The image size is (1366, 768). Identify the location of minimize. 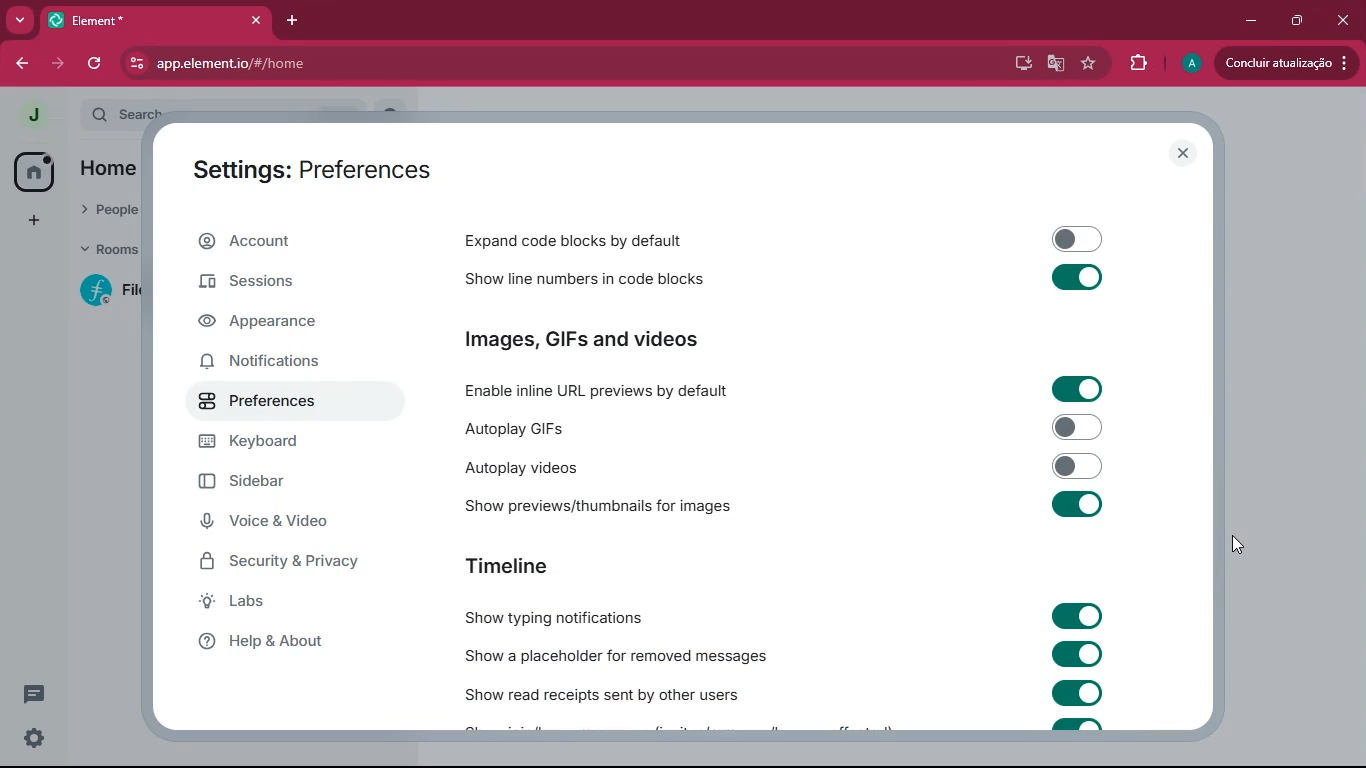
(1250, 22).